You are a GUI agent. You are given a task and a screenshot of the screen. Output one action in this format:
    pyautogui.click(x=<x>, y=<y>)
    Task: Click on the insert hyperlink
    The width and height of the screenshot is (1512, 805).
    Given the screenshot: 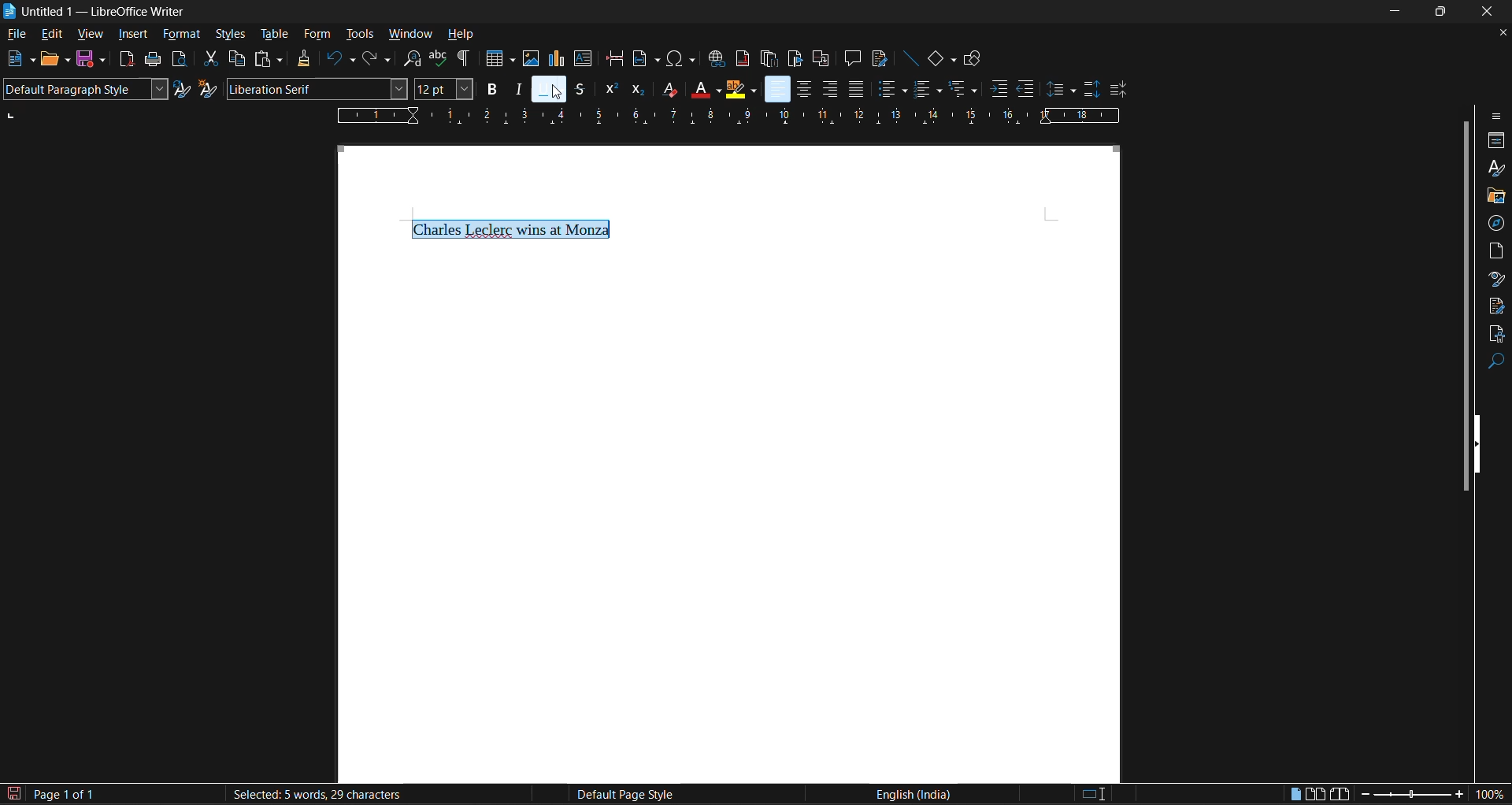 What is the action you would take?
    pyautogui.click(x=716, y=59)
    